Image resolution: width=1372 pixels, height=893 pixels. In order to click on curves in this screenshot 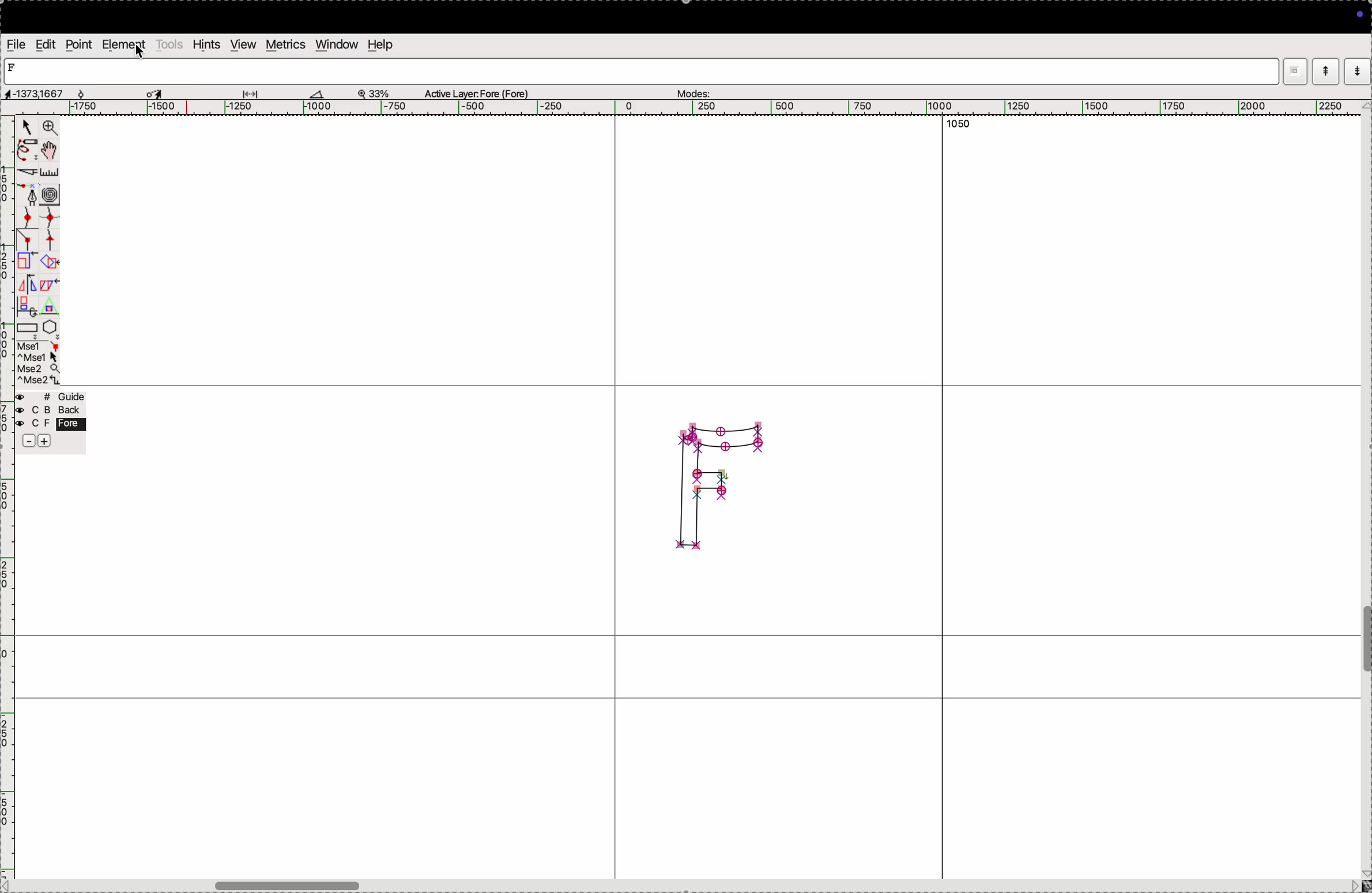, I will do `click(51, 196)`.